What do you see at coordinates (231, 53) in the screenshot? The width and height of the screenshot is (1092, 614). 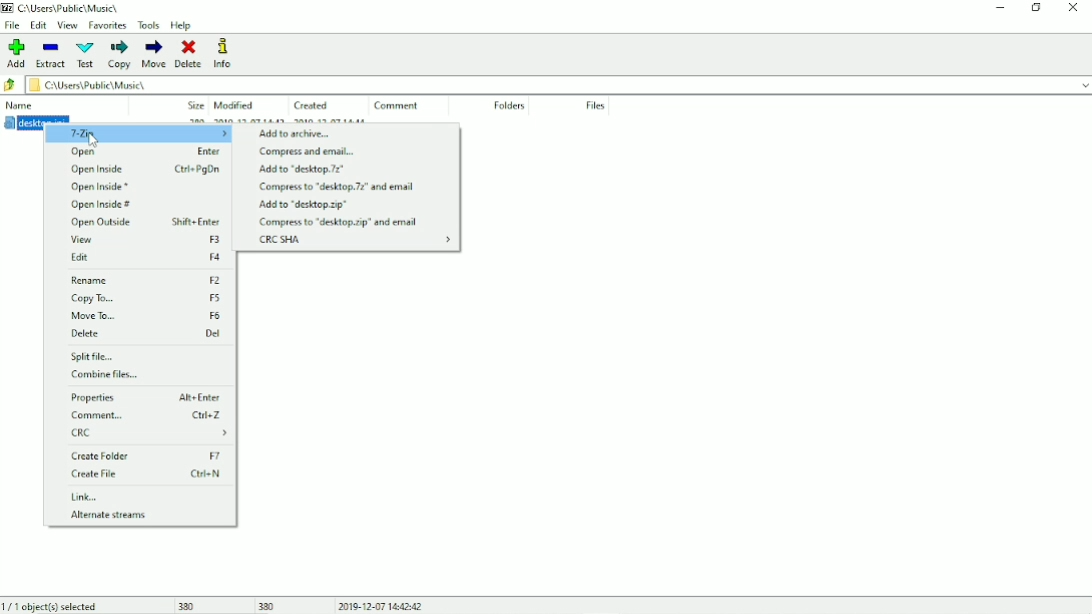 I see `Info` at bounding box center [231, 53].